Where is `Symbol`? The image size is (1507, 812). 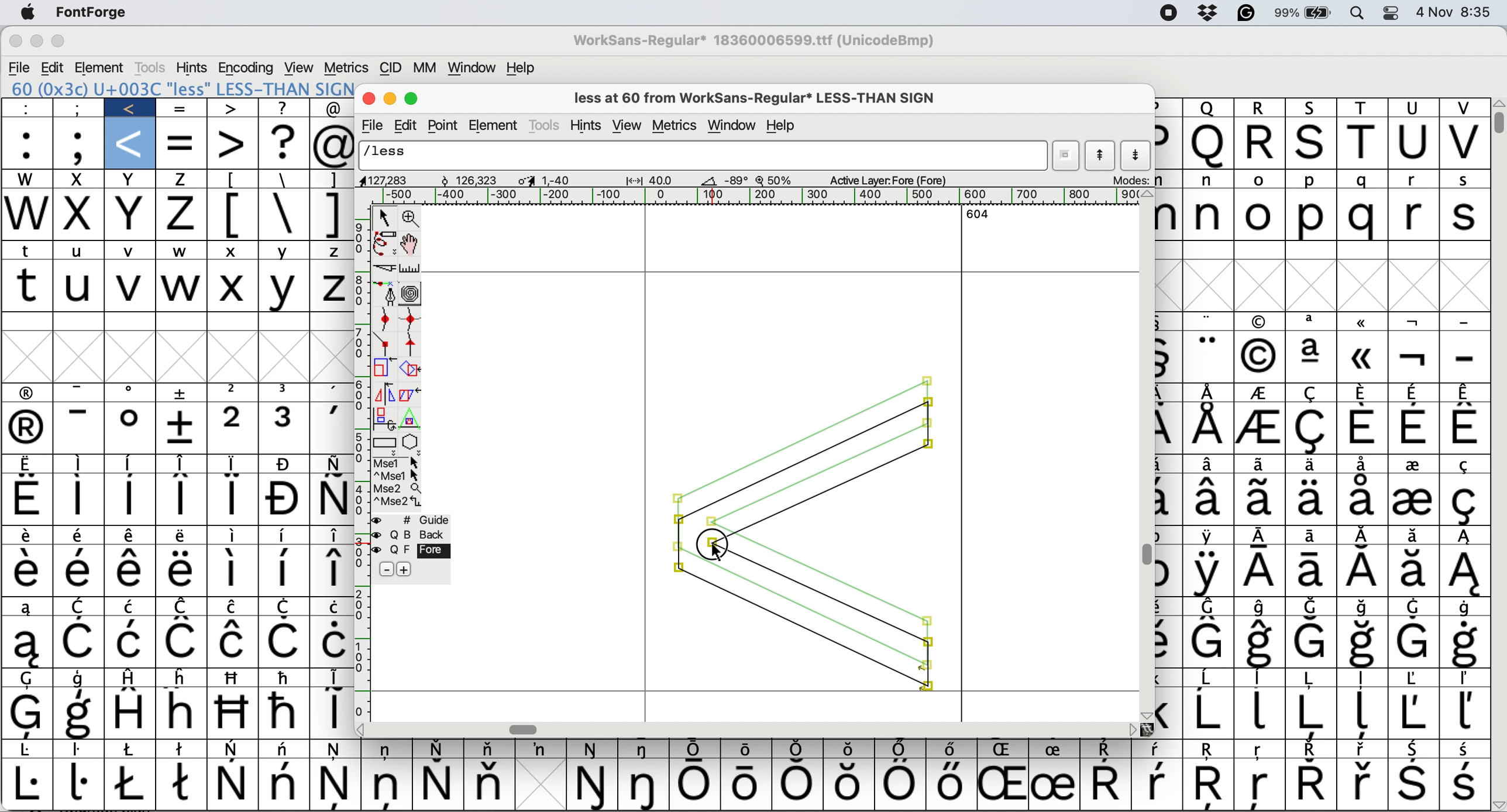
Symbol is located at coordinates (1210, 607).